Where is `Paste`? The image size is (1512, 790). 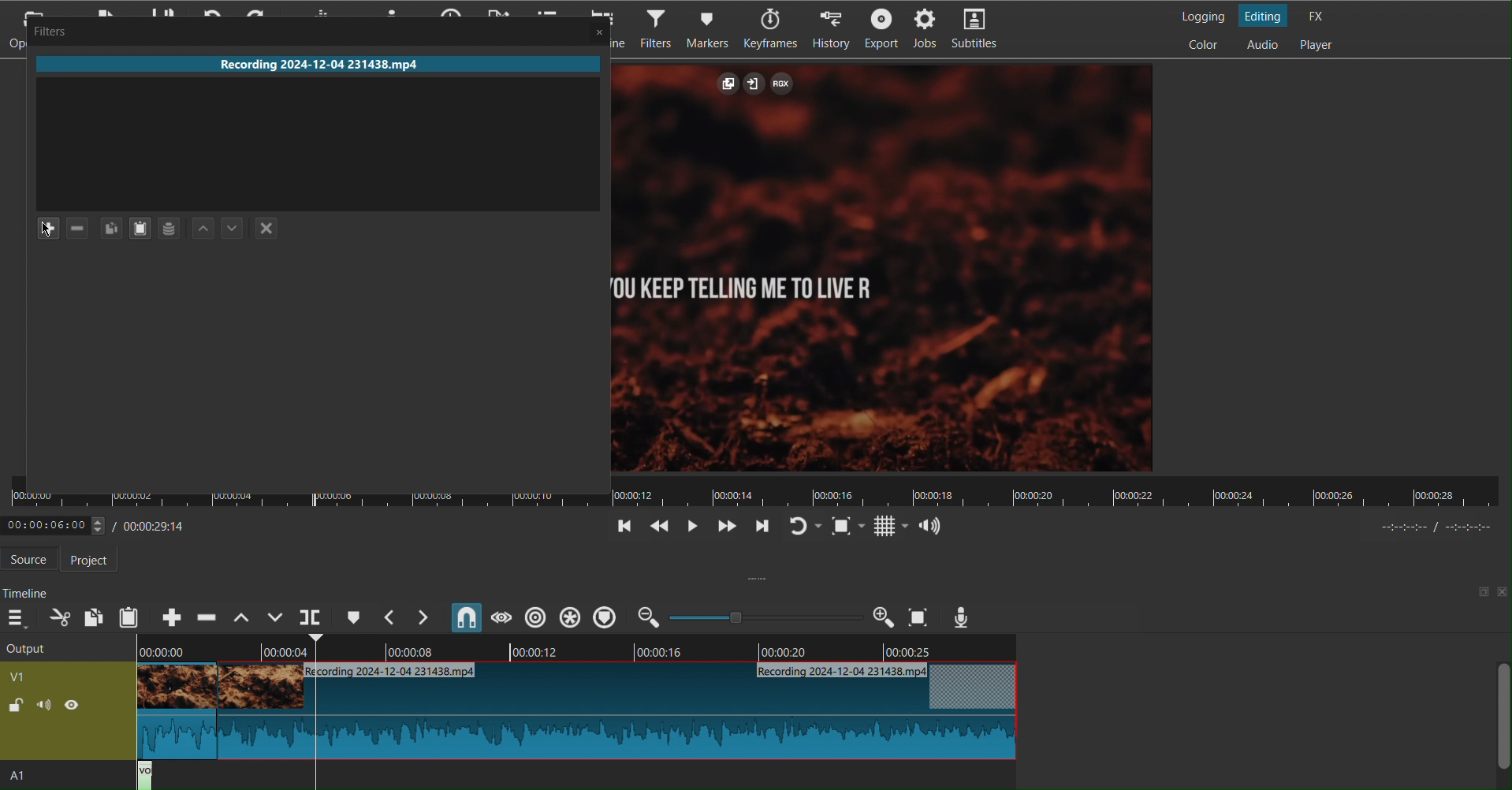
Paste is located at coordinates (130, 617).